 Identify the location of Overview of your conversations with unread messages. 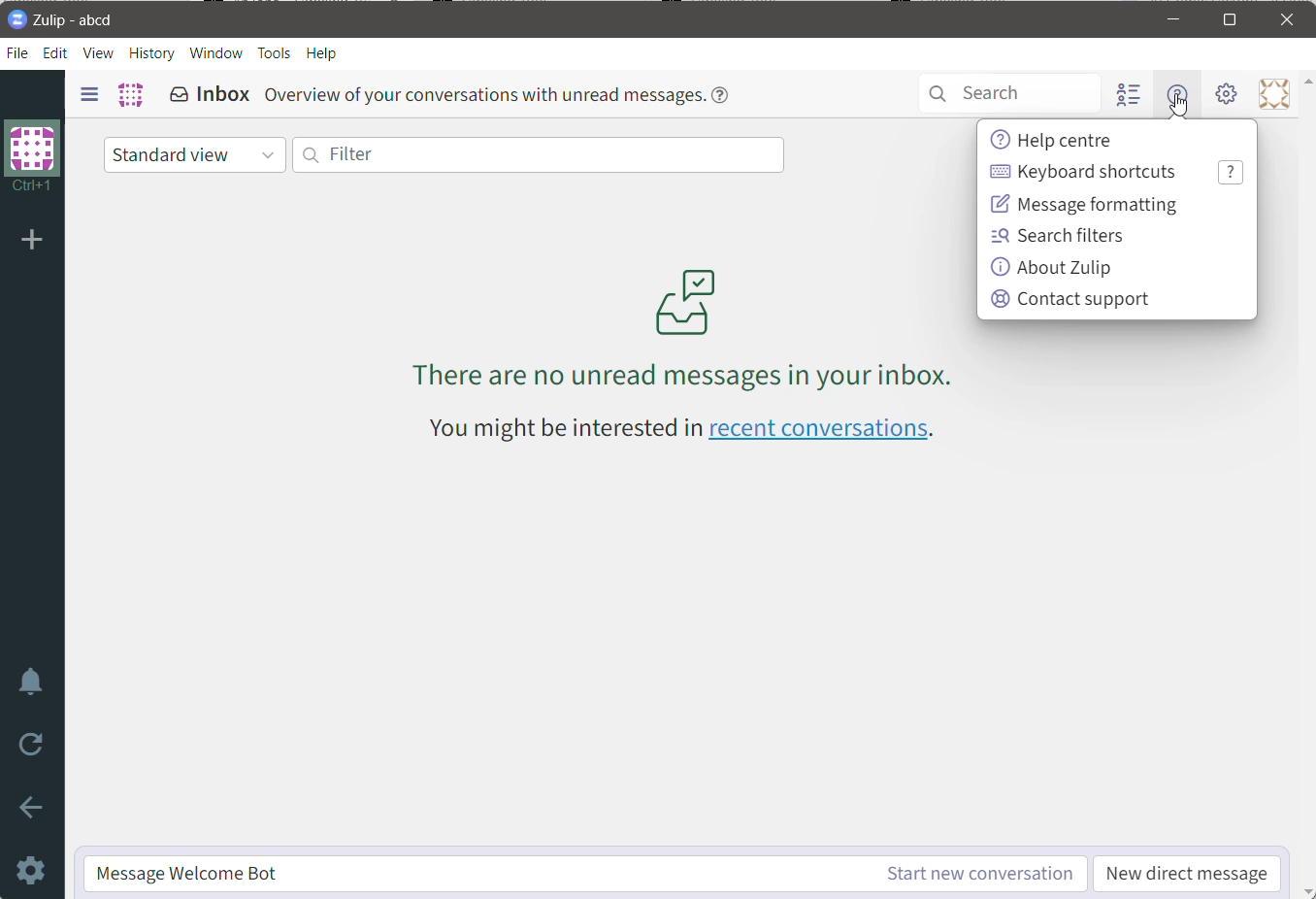
(500, 97).